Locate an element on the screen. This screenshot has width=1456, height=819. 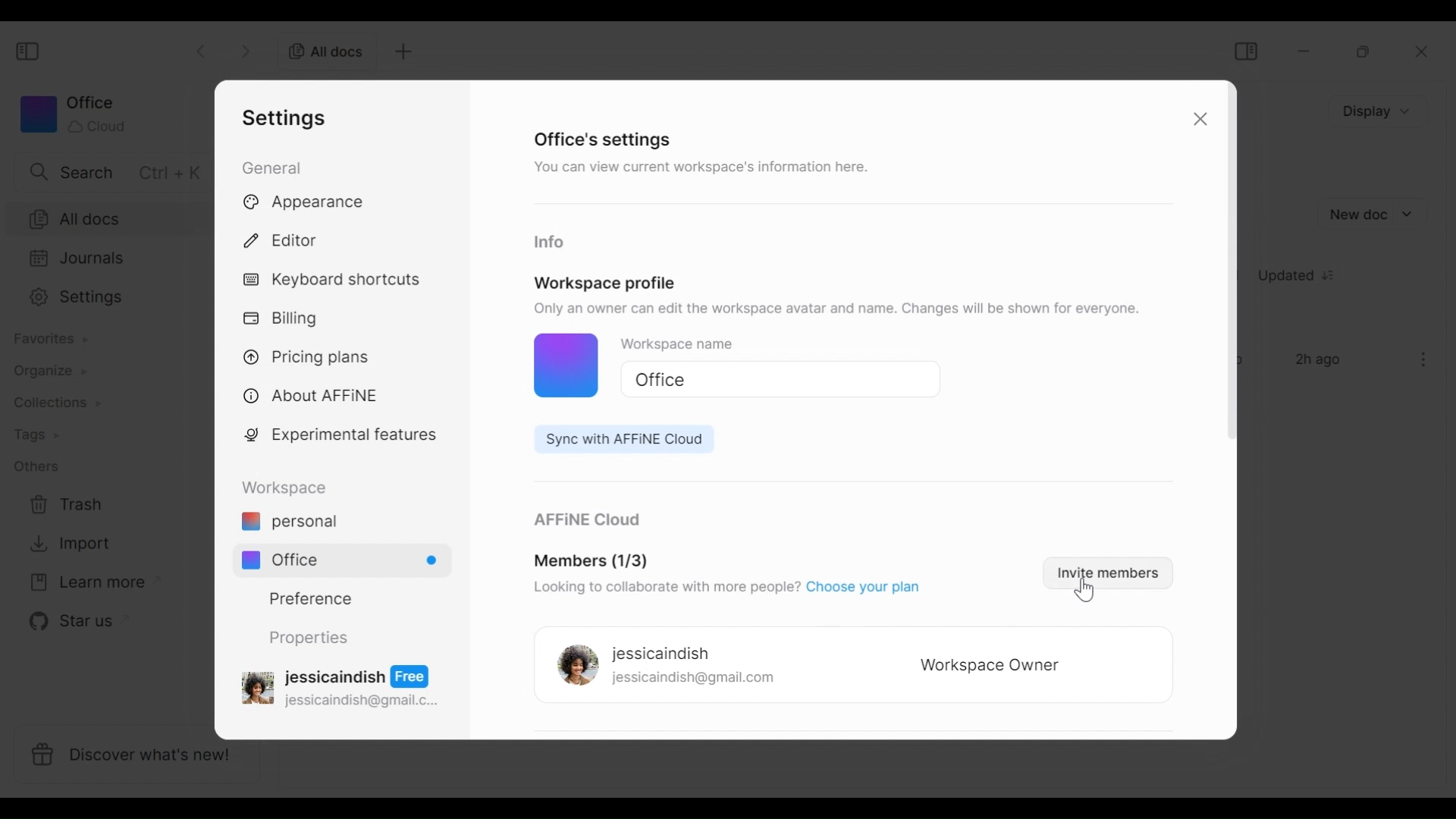
Looking to collaborate with more people? Choose your plan is located at coordinates (724, 589).